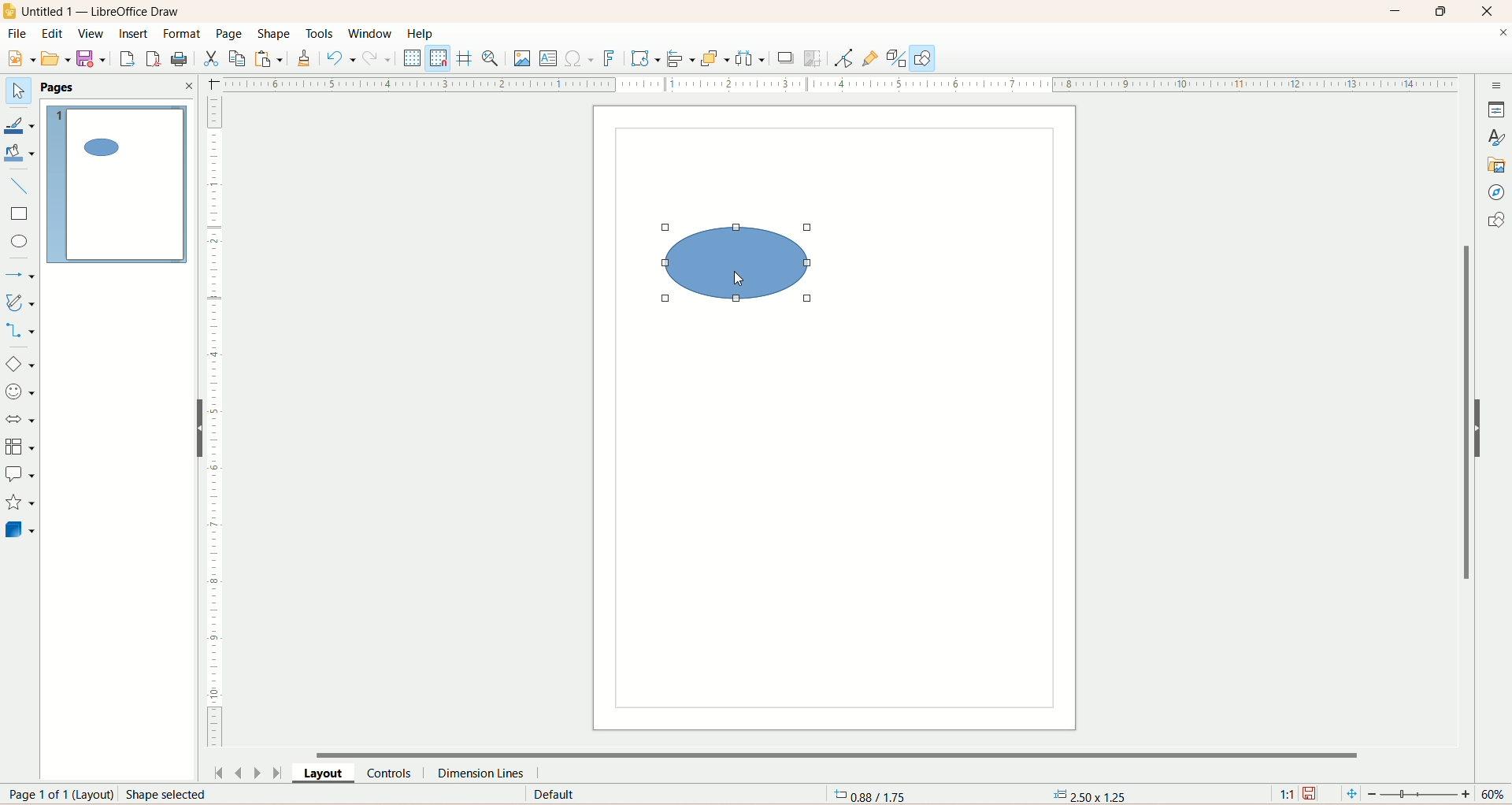 Image resolution: width=1512 pixels, height=805 pixels. Describe the element at coordinates (19, 475) in the screenshot. I see `callout` at that location.